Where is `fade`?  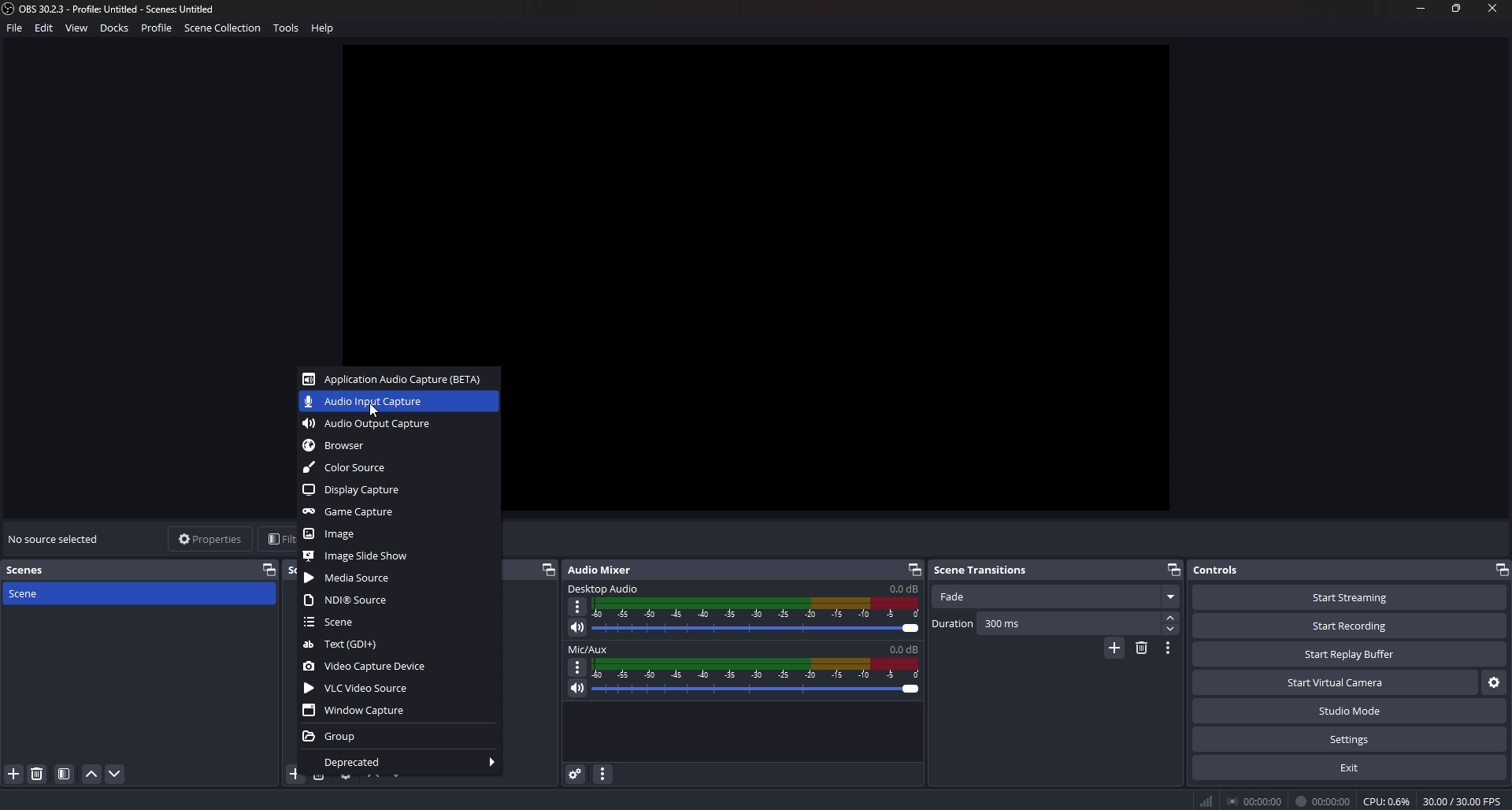 fade is located at coordinates (1057, 598).